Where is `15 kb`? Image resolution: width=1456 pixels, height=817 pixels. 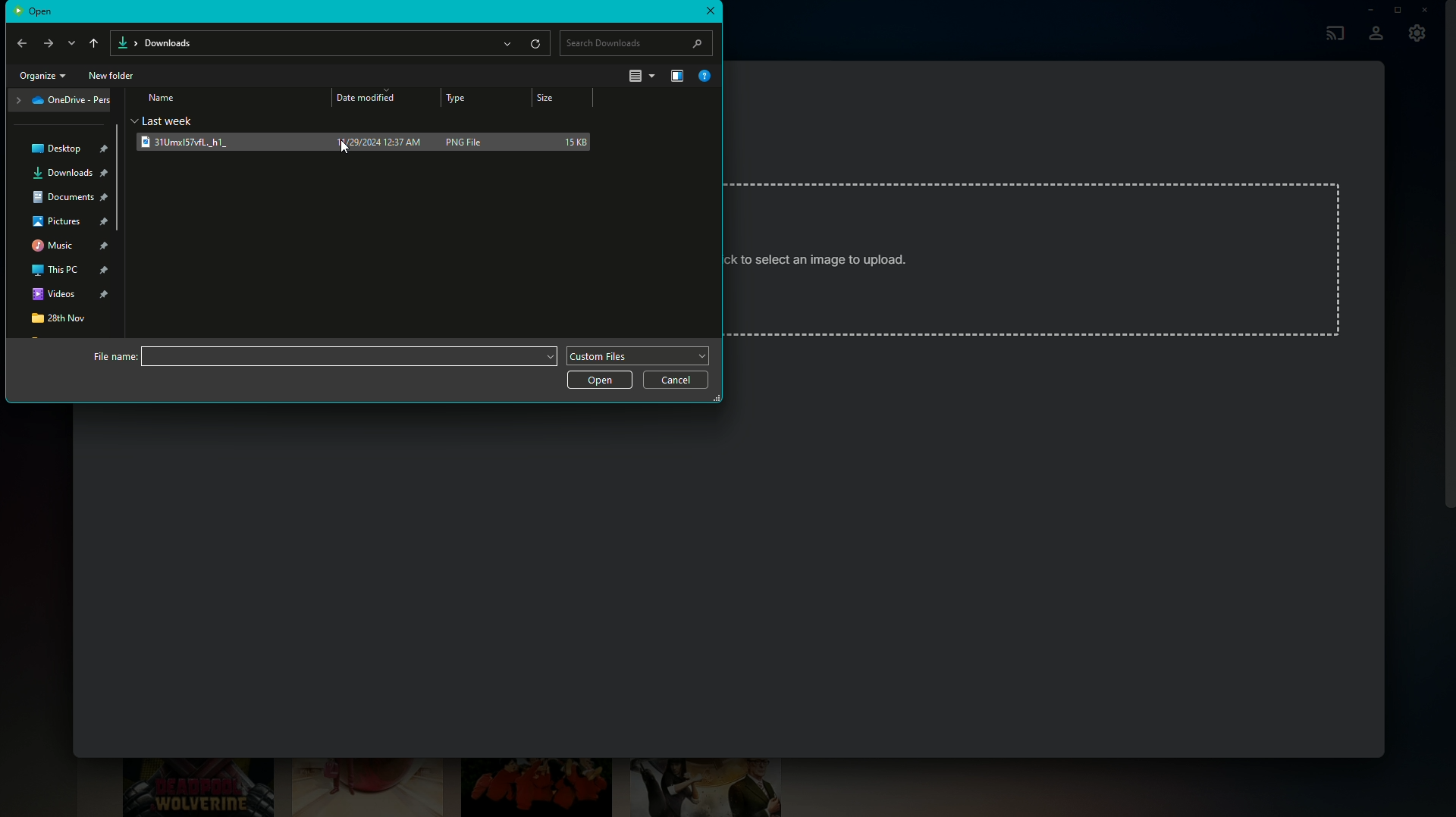 15 kb is located at coordinates (573, 141).